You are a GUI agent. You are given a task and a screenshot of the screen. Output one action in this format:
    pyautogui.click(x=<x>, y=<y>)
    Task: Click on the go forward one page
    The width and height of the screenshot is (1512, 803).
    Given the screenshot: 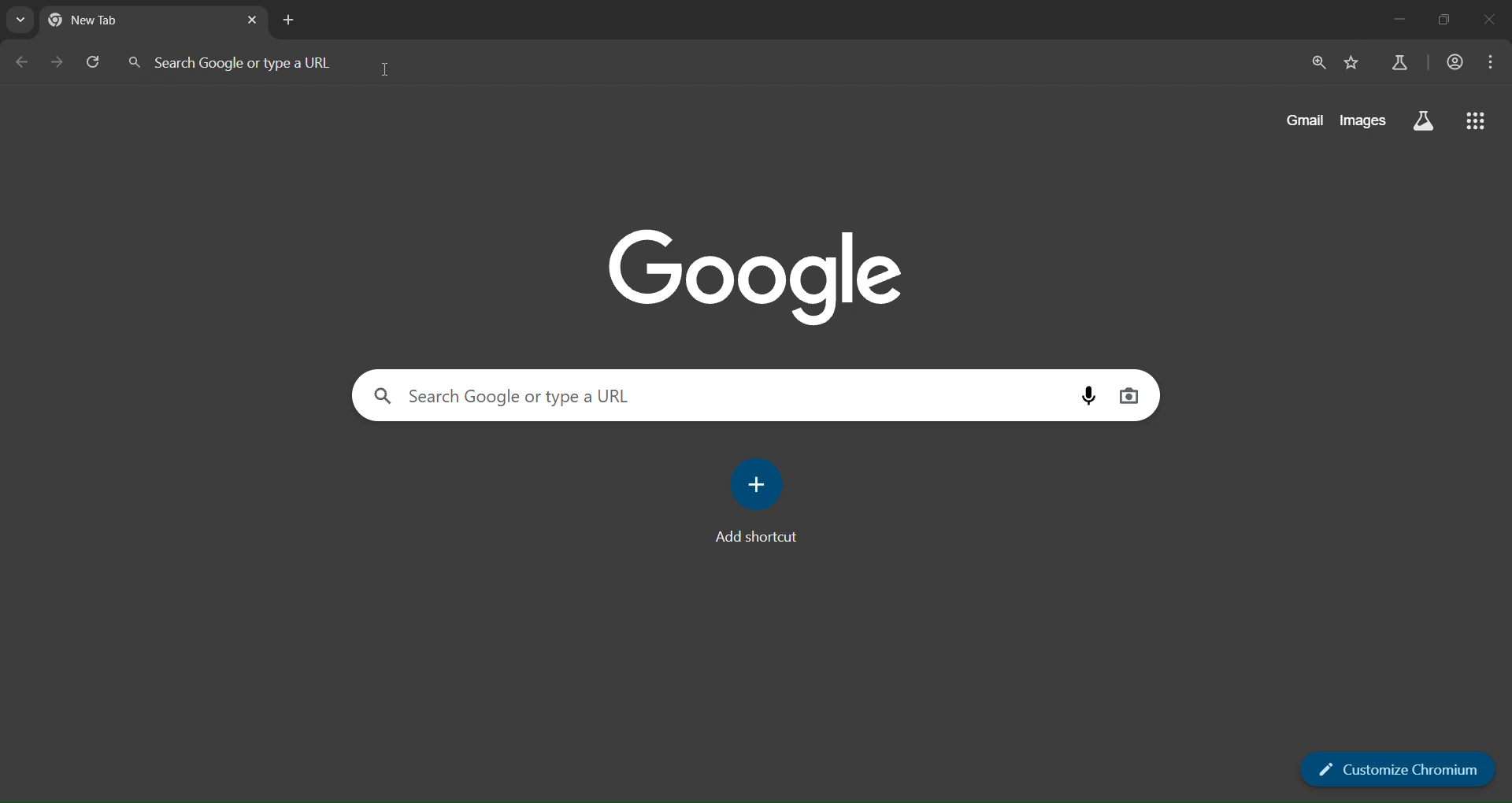 What is the action you would take?
    pyautogui.click(x=55, y=61)
    